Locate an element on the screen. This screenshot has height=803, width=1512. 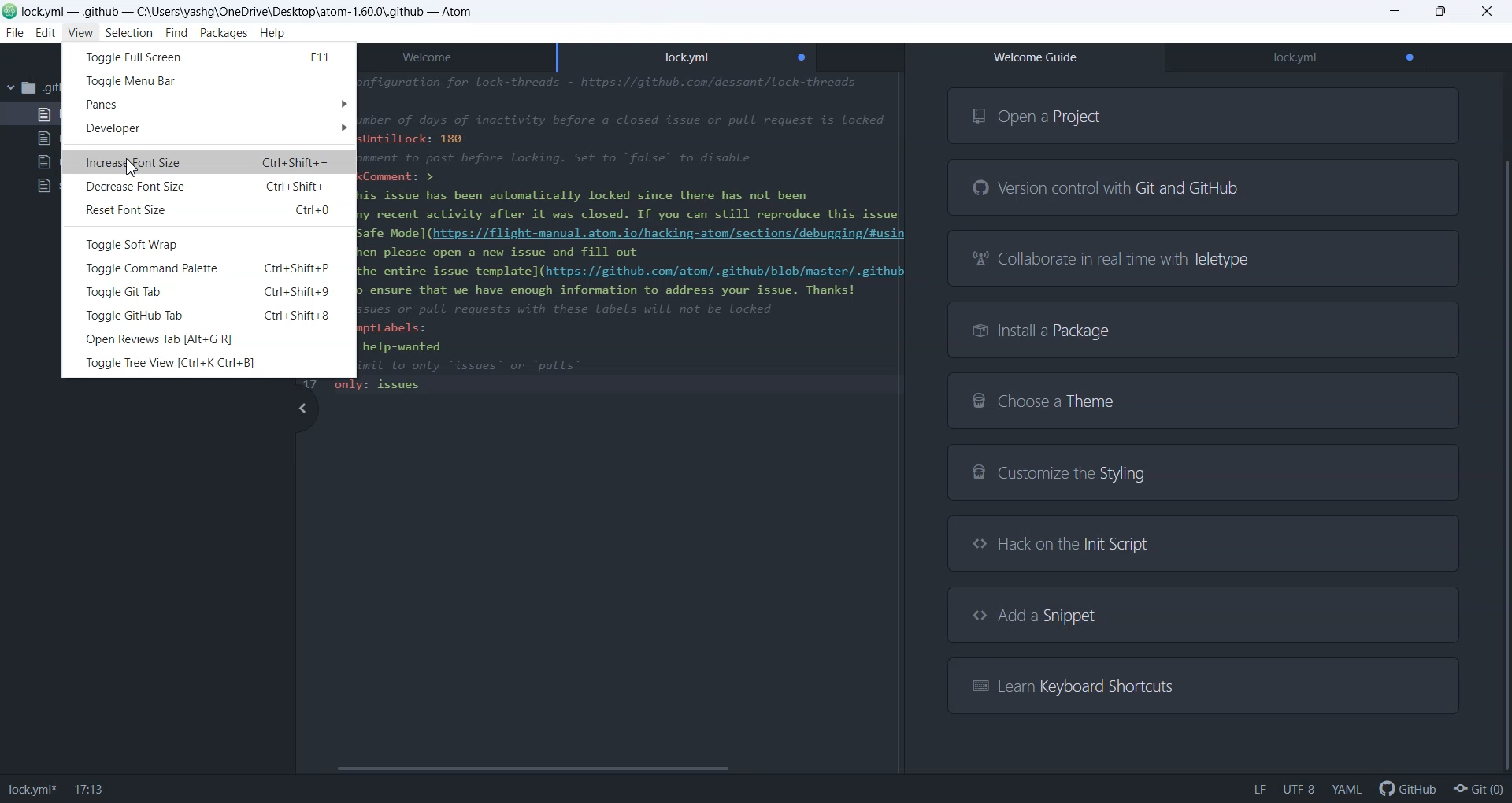
Create repository is located at coordinates (1479, 789).